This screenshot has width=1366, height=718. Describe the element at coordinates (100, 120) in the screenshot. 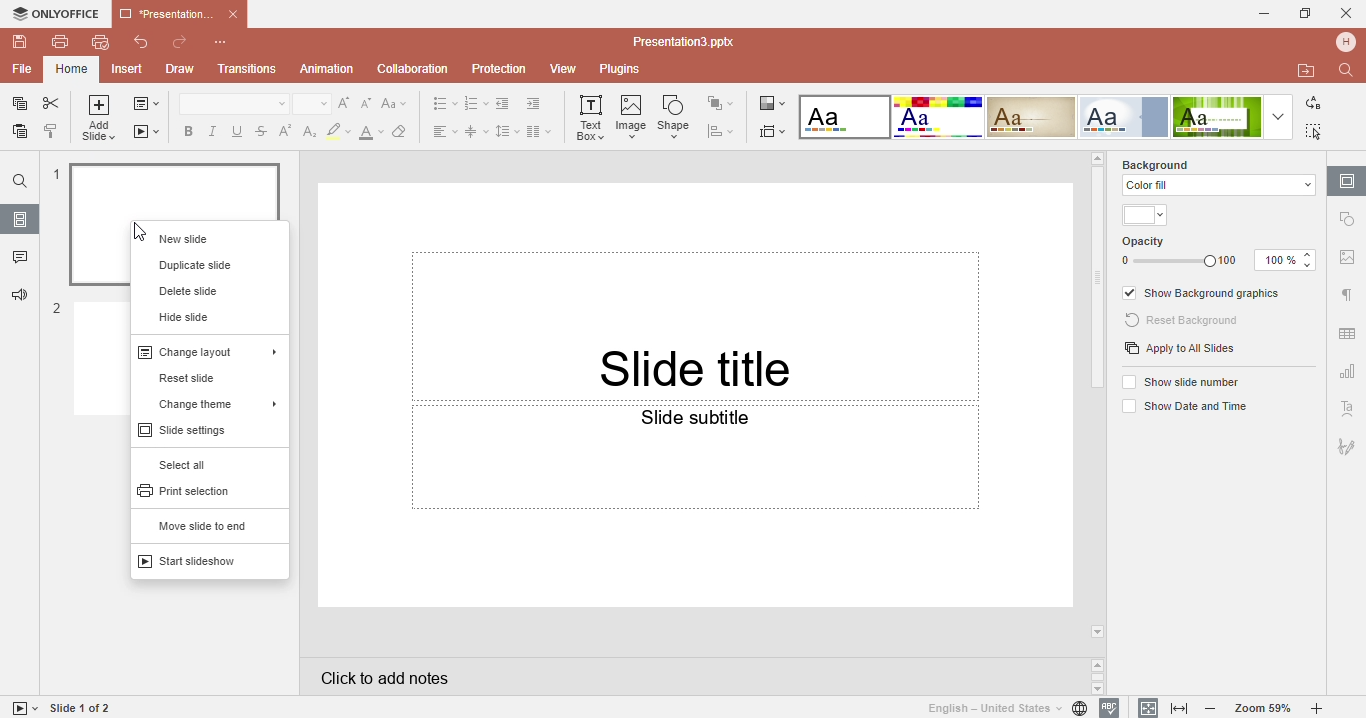

I see `Add slide` at that location.